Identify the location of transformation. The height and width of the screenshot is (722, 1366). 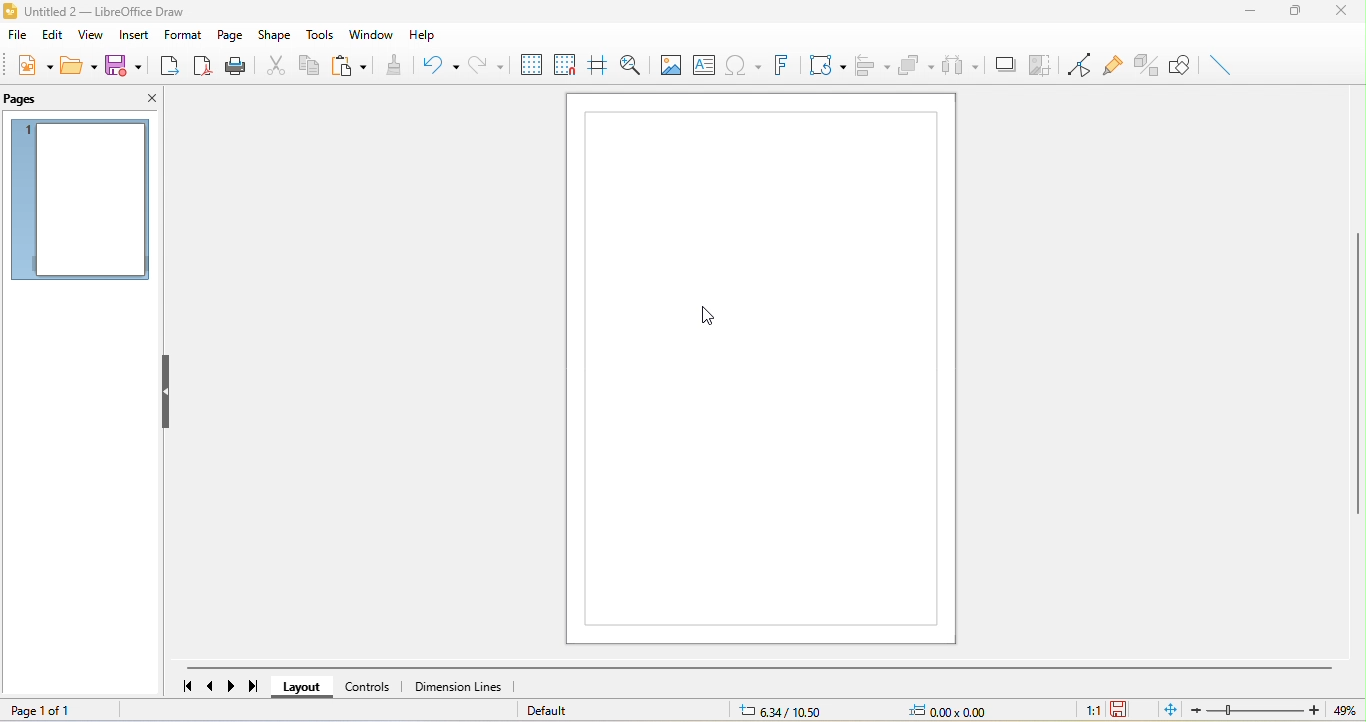
(825, 65).